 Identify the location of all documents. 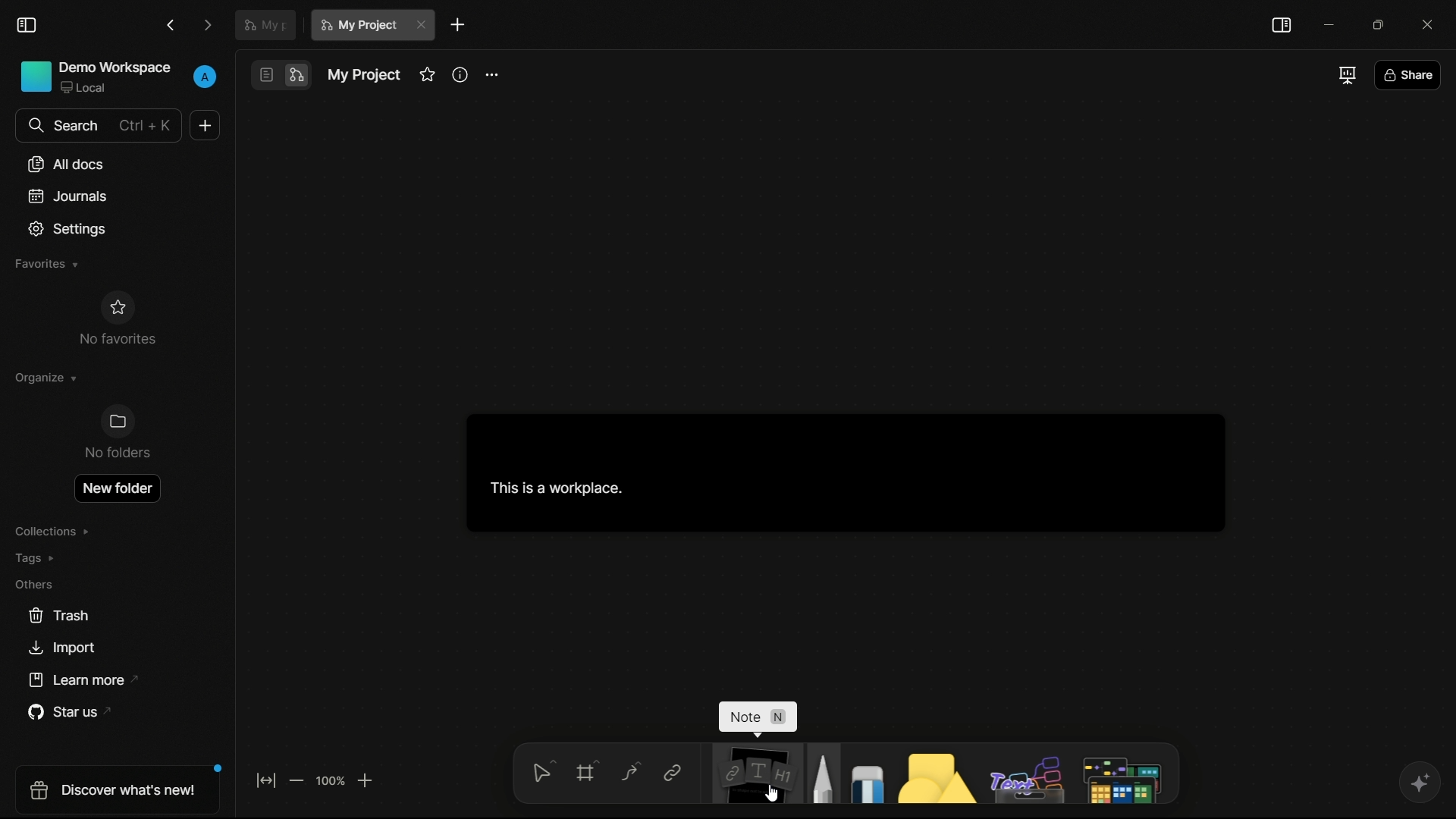
(66, 164).